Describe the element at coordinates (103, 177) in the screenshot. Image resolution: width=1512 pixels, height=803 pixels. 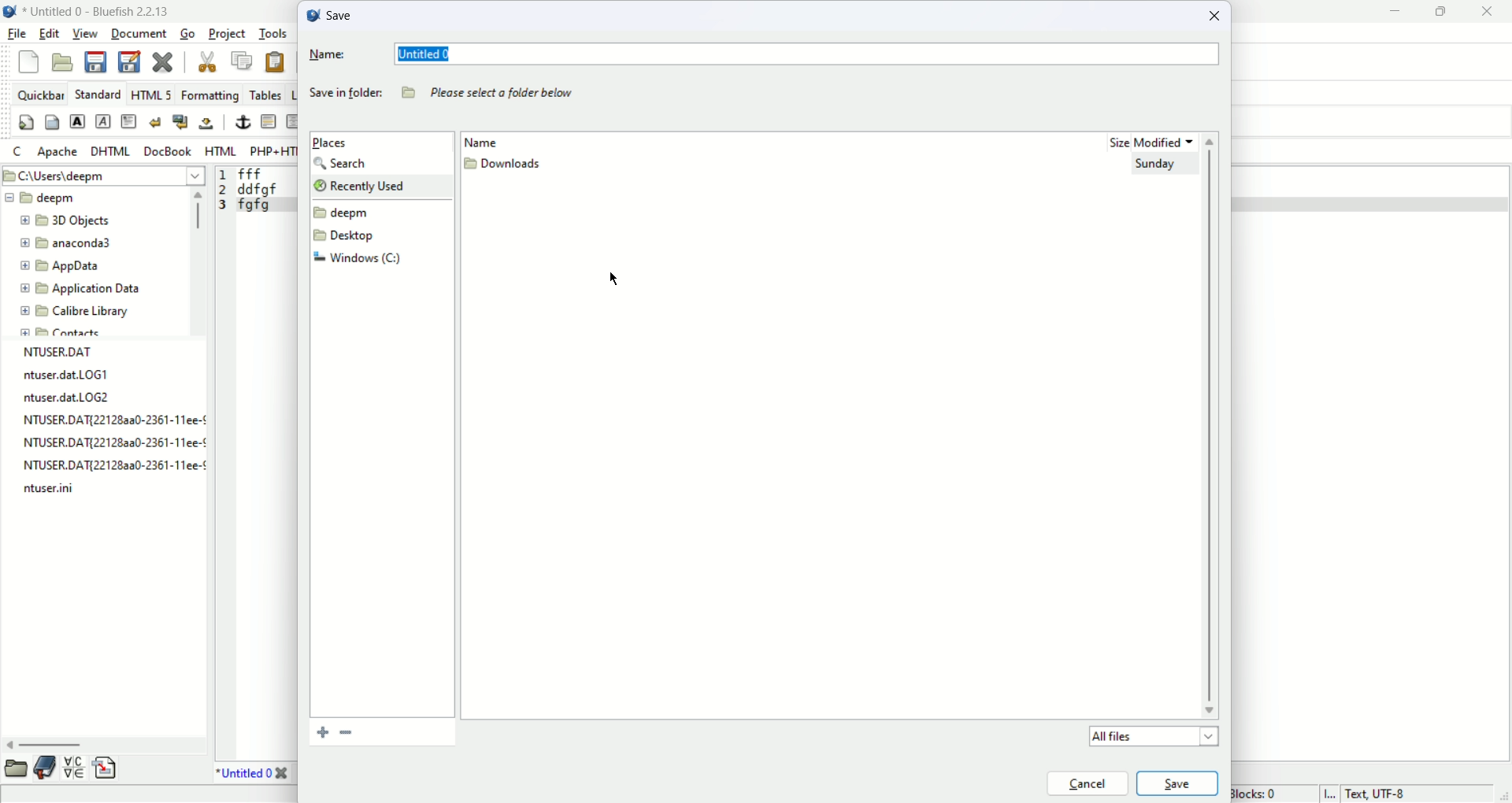
I see `C:\Users\deepm` at that location.